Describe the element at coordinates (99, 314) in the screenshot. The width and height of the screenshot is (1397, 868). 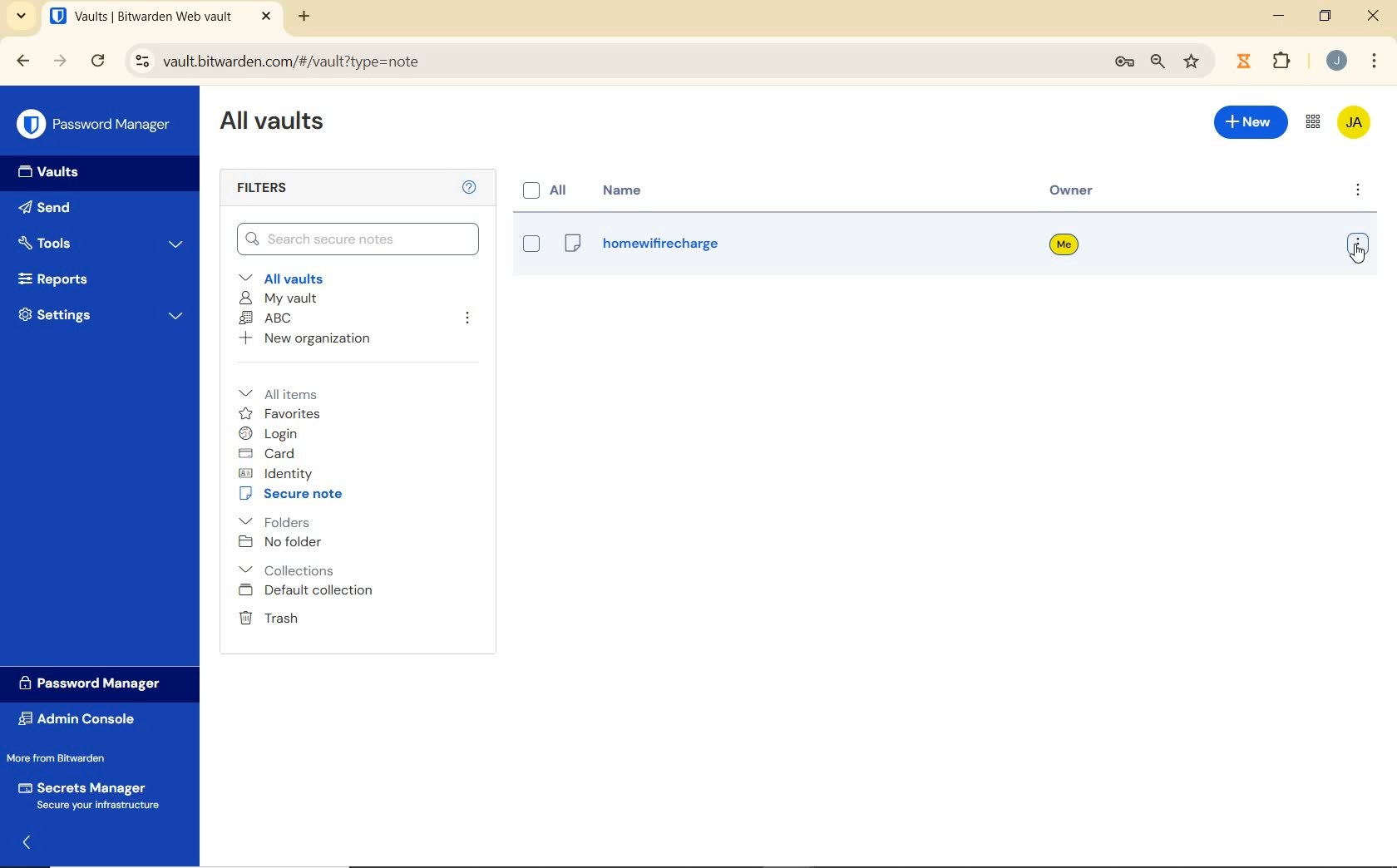
I see `Settings` at that location.